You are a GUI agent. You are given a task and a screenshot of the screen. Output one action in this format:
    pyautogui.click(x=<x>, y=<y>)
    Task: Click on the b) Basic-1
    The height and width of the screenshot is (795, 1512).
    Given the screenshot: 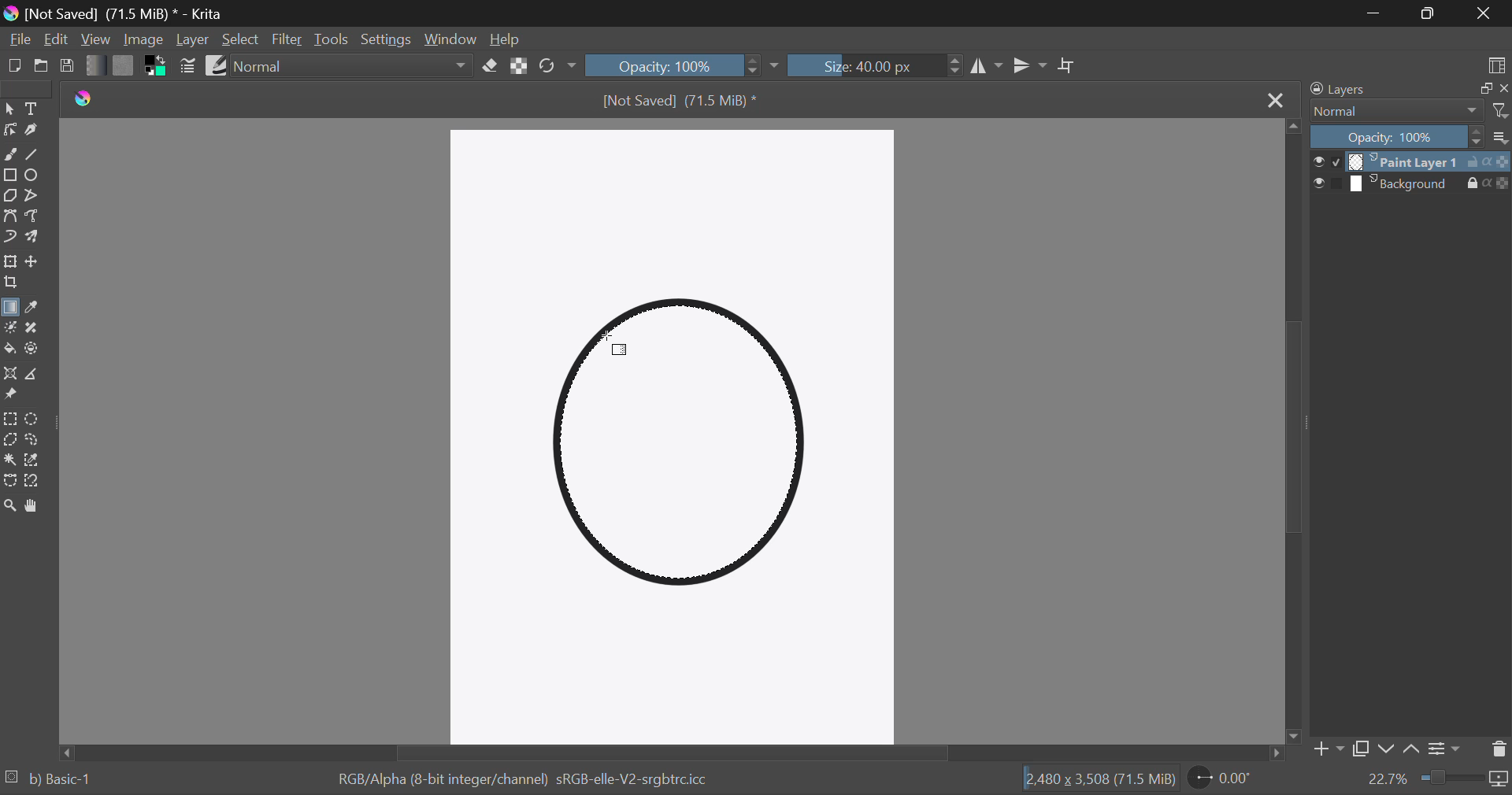 What is the action you would take?
    pyautogui.click(x=57, y=780)
    